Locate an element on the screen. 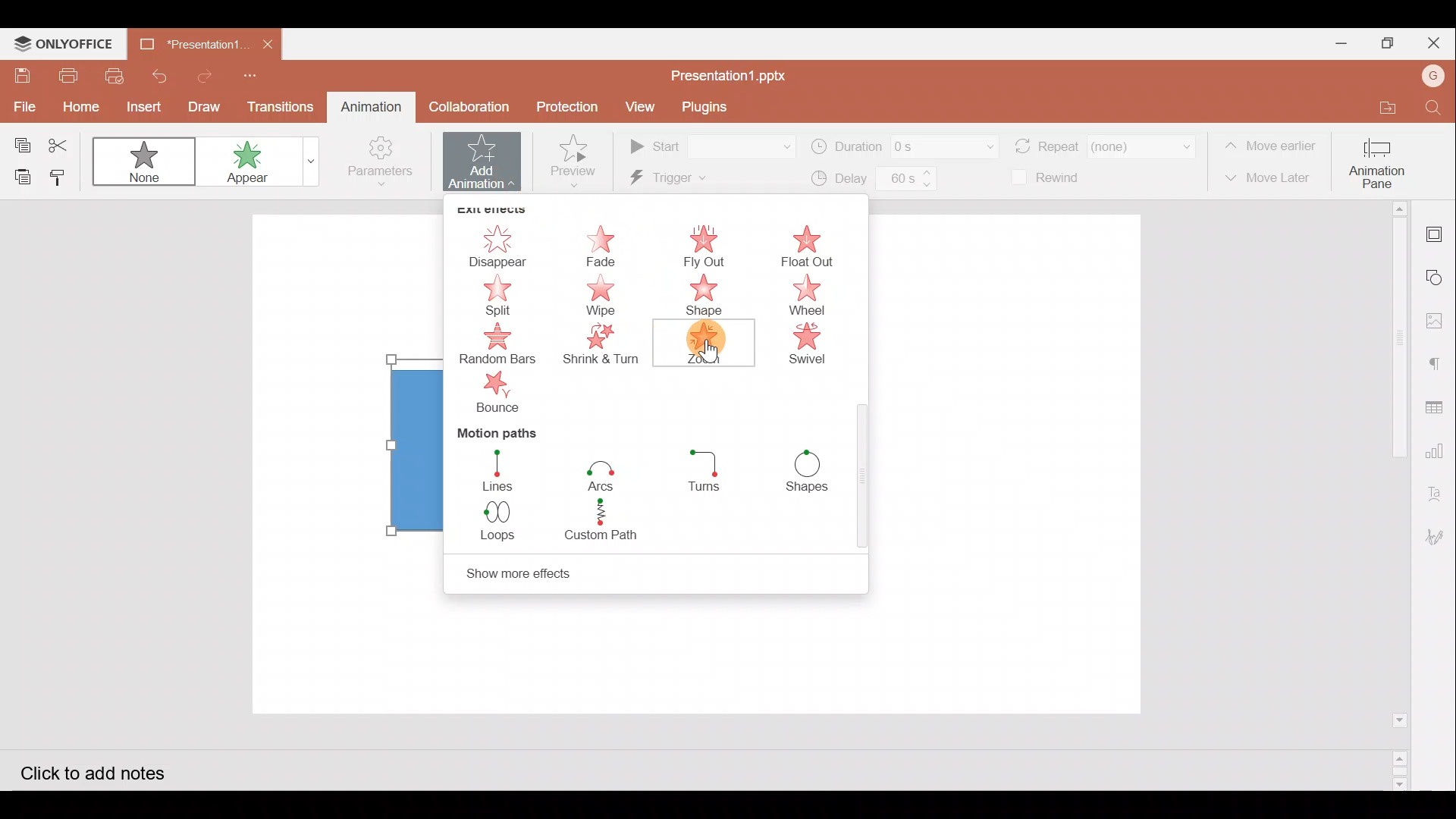 The height and width of the screenshot is (819, 1456). Plugins is located at coordinates (704, 106).